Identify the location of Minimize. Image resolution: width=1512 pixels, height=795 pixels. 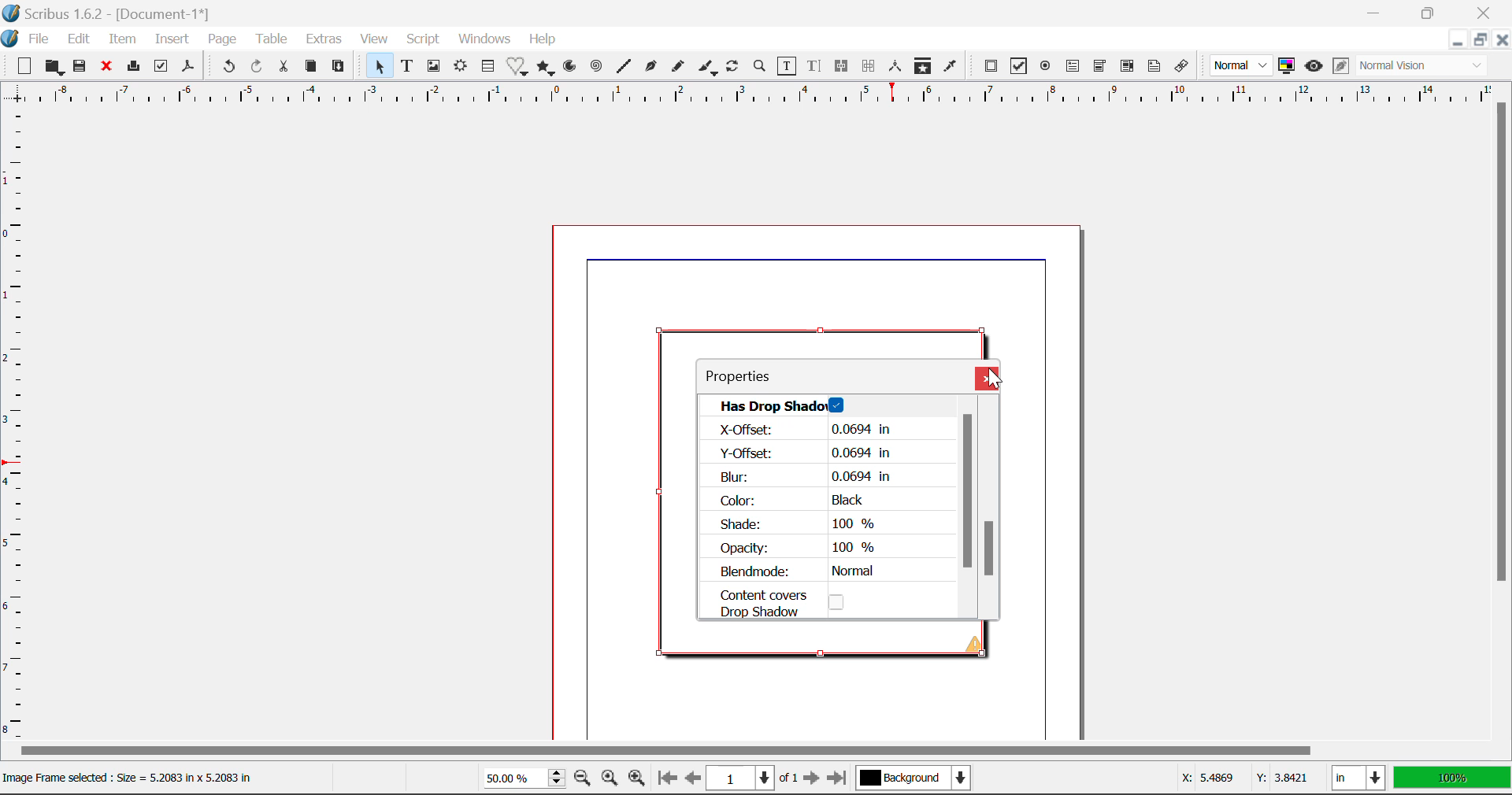
(1480, 39).